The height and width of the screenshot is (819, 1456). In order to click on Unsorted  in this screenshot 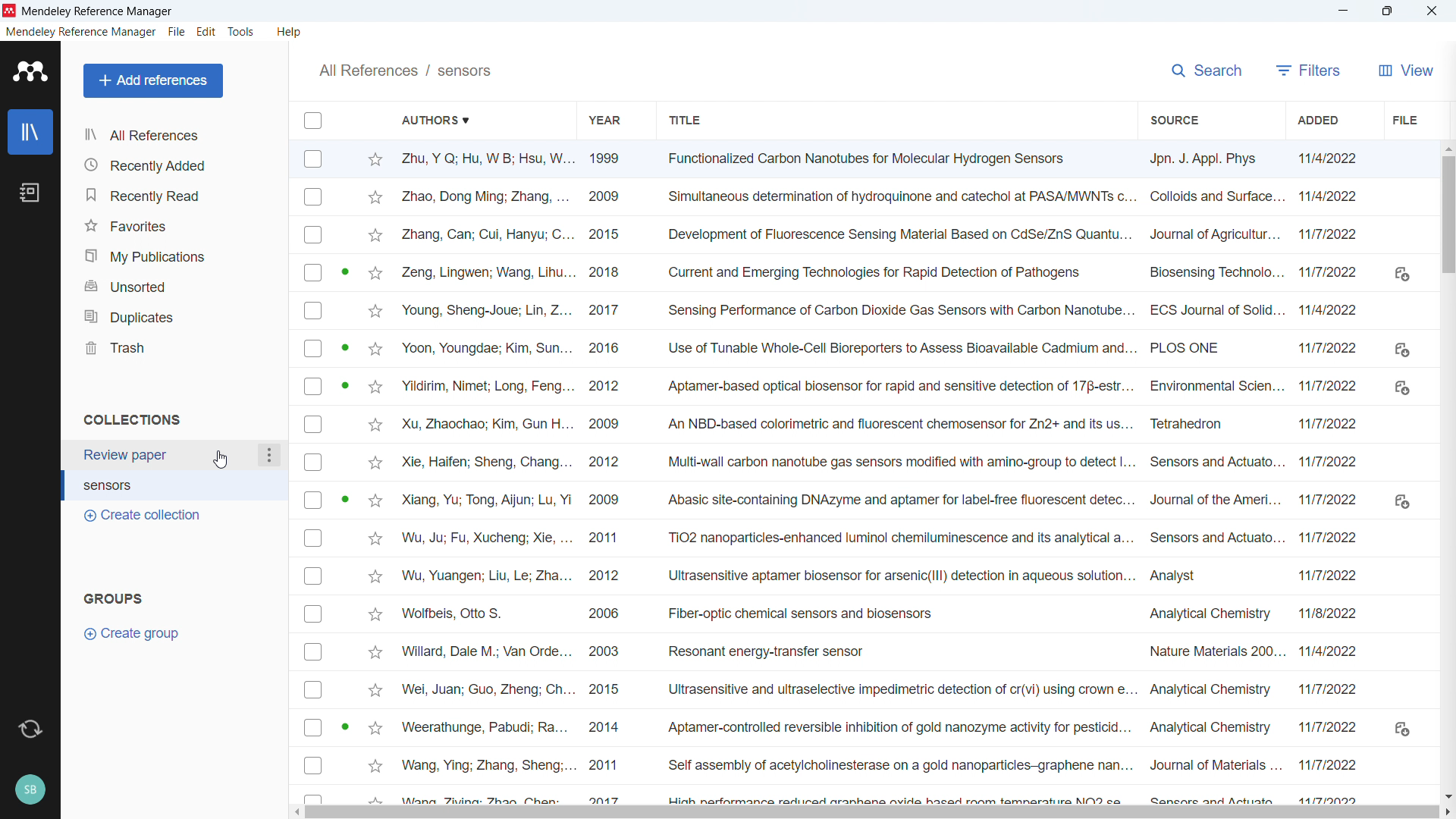, I will do `click(178, 287)`.